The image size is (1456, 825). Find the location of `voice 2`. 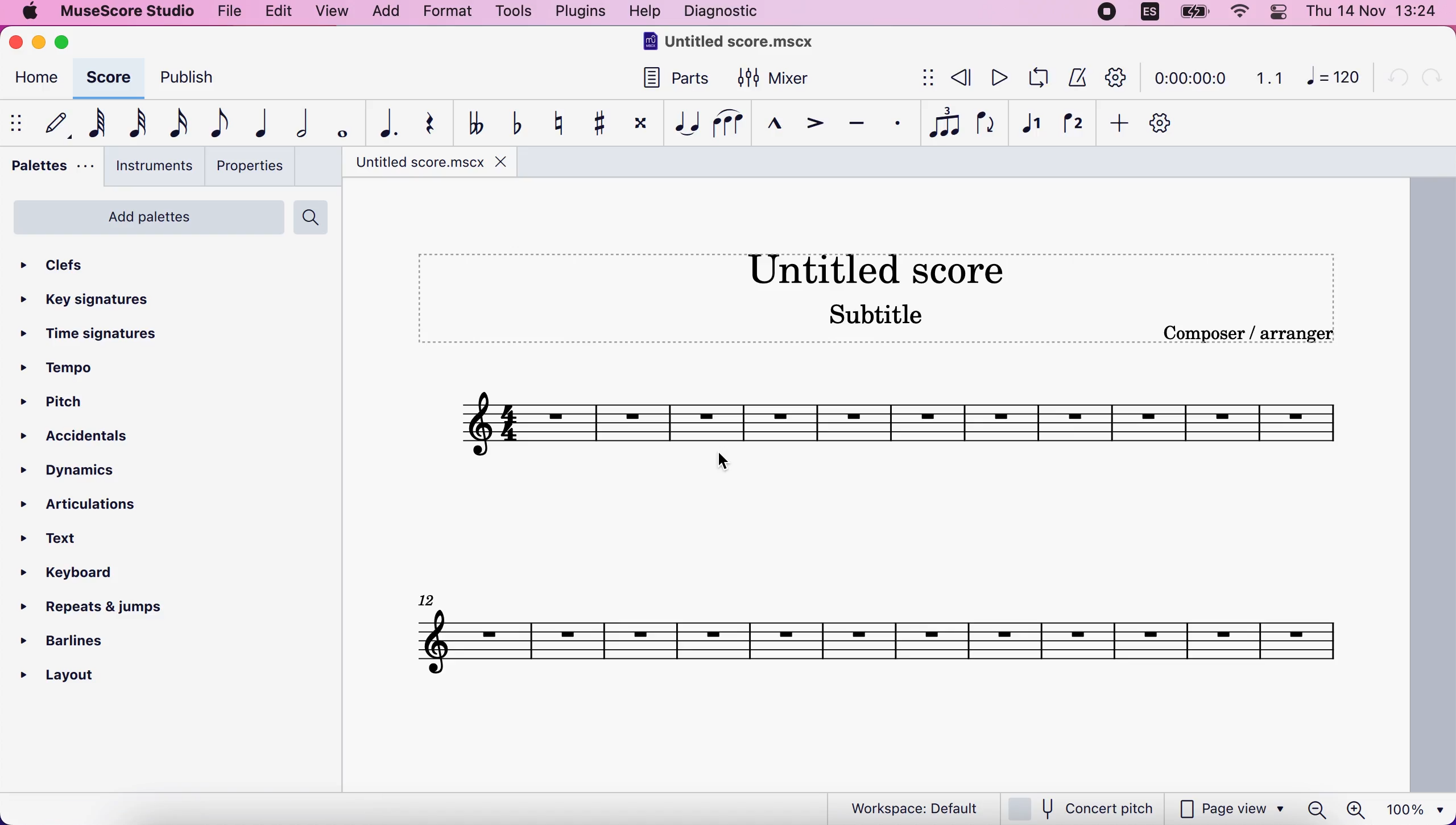

voice 2 is located at coordinates (1073, 125).